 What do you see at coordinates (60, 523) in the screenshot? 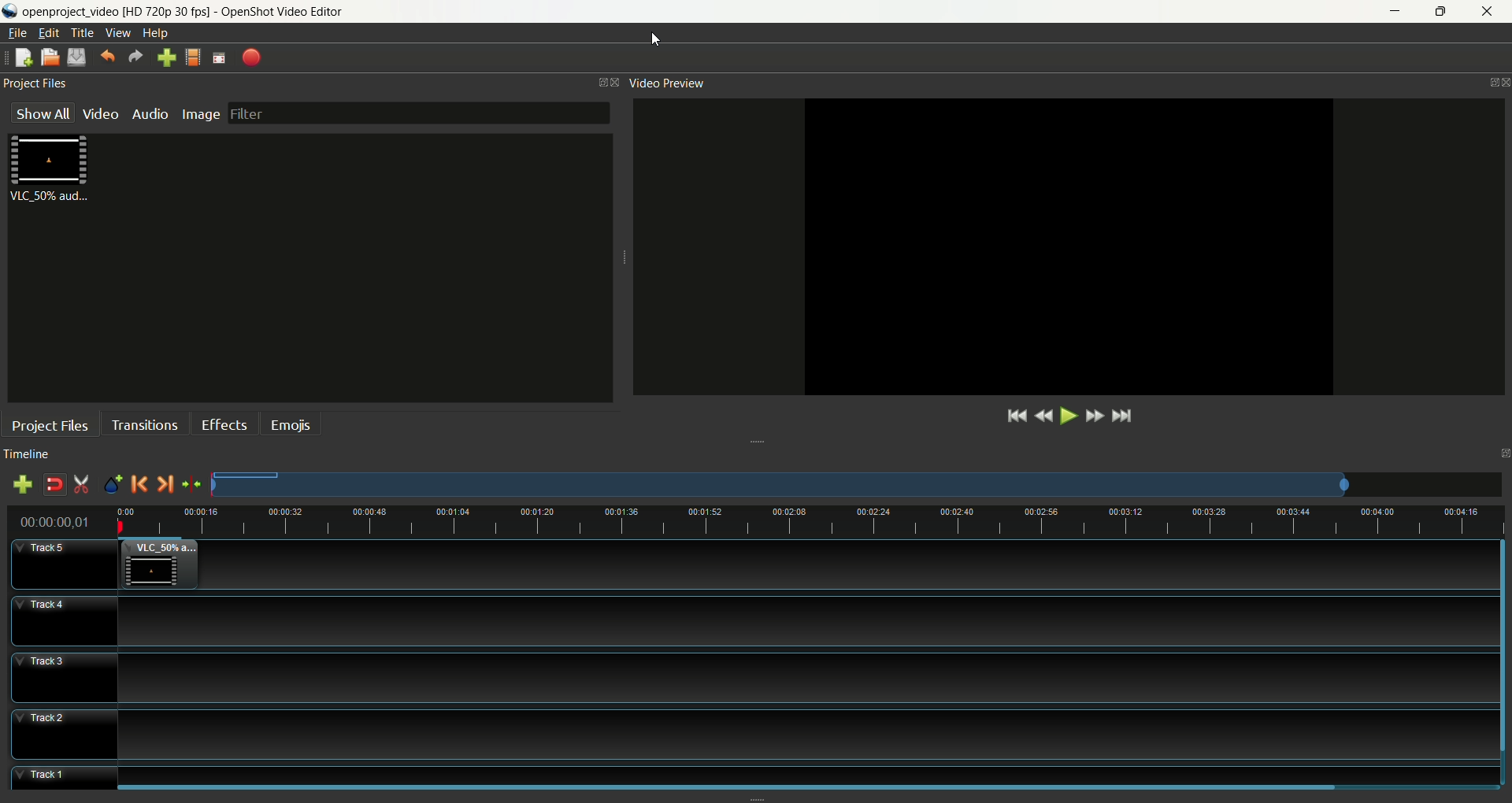
I see `timme` at bounding box center [60, 523].